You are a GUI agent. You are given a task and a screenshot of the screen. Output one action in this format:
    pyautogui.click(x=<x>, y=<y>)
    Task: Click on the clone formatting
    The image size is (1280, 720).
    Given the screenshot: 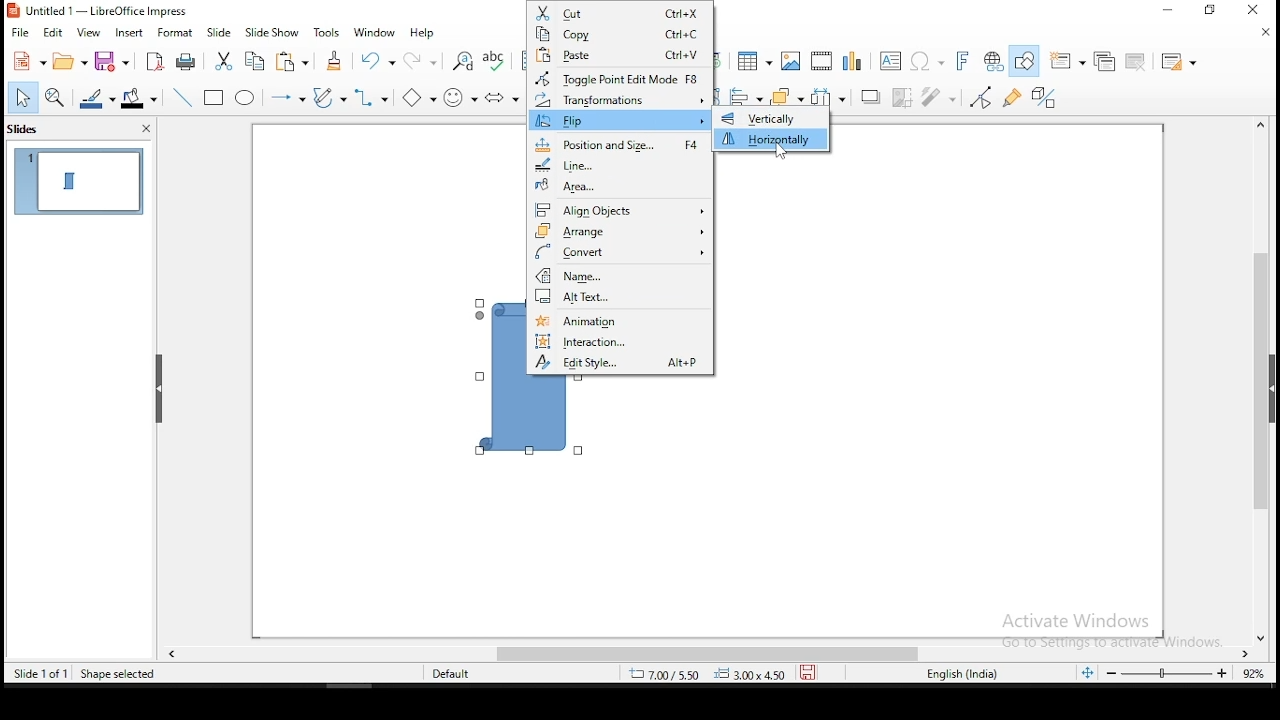 What is the action you would take?
    pyautogui.click(x=333, y=59)
    